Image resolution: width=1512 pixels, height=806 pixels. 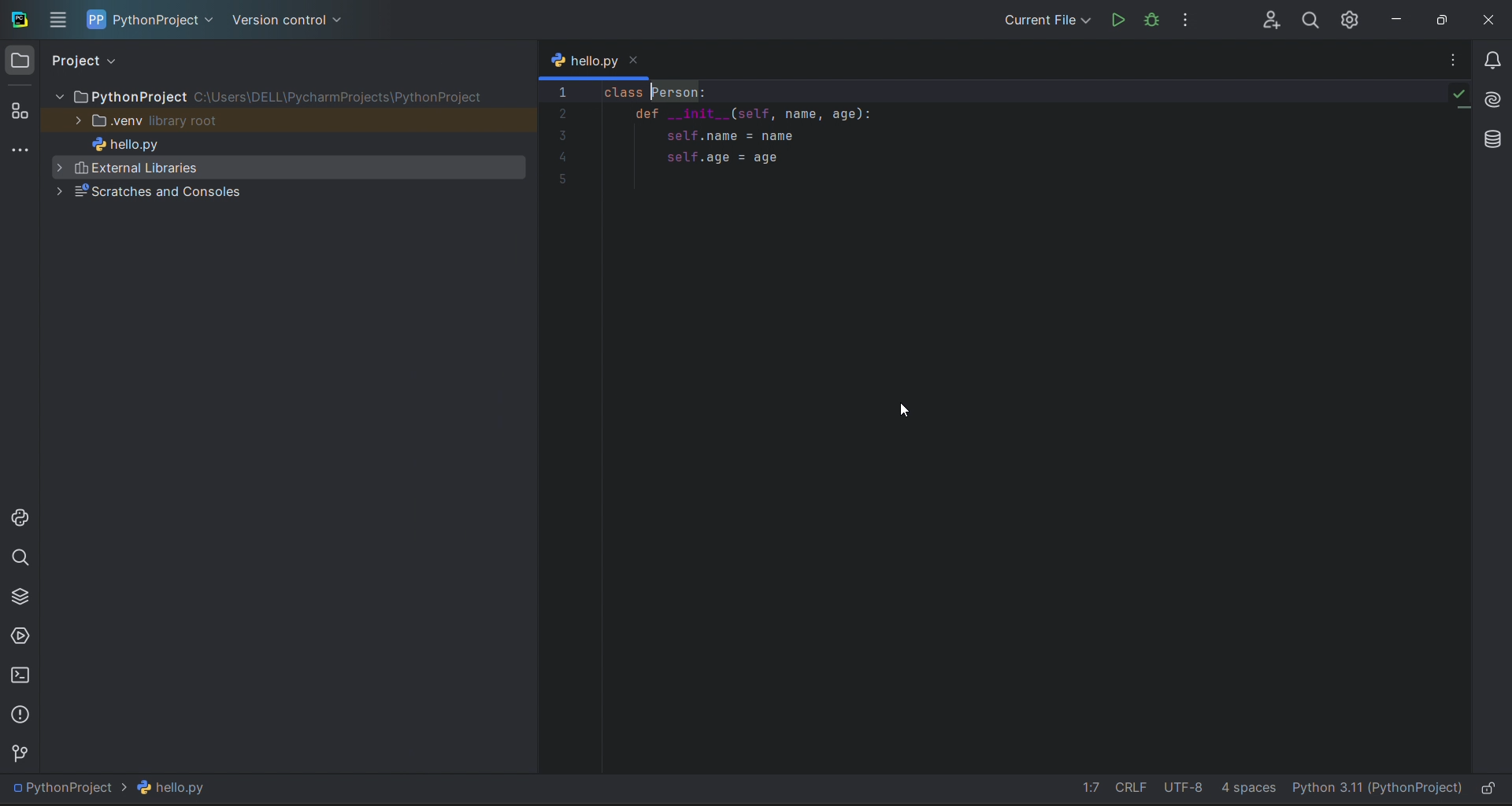 What do you see at coordinates (1453, 61) in the screenshot?
I see `More` at bounding box center [1453, 61].